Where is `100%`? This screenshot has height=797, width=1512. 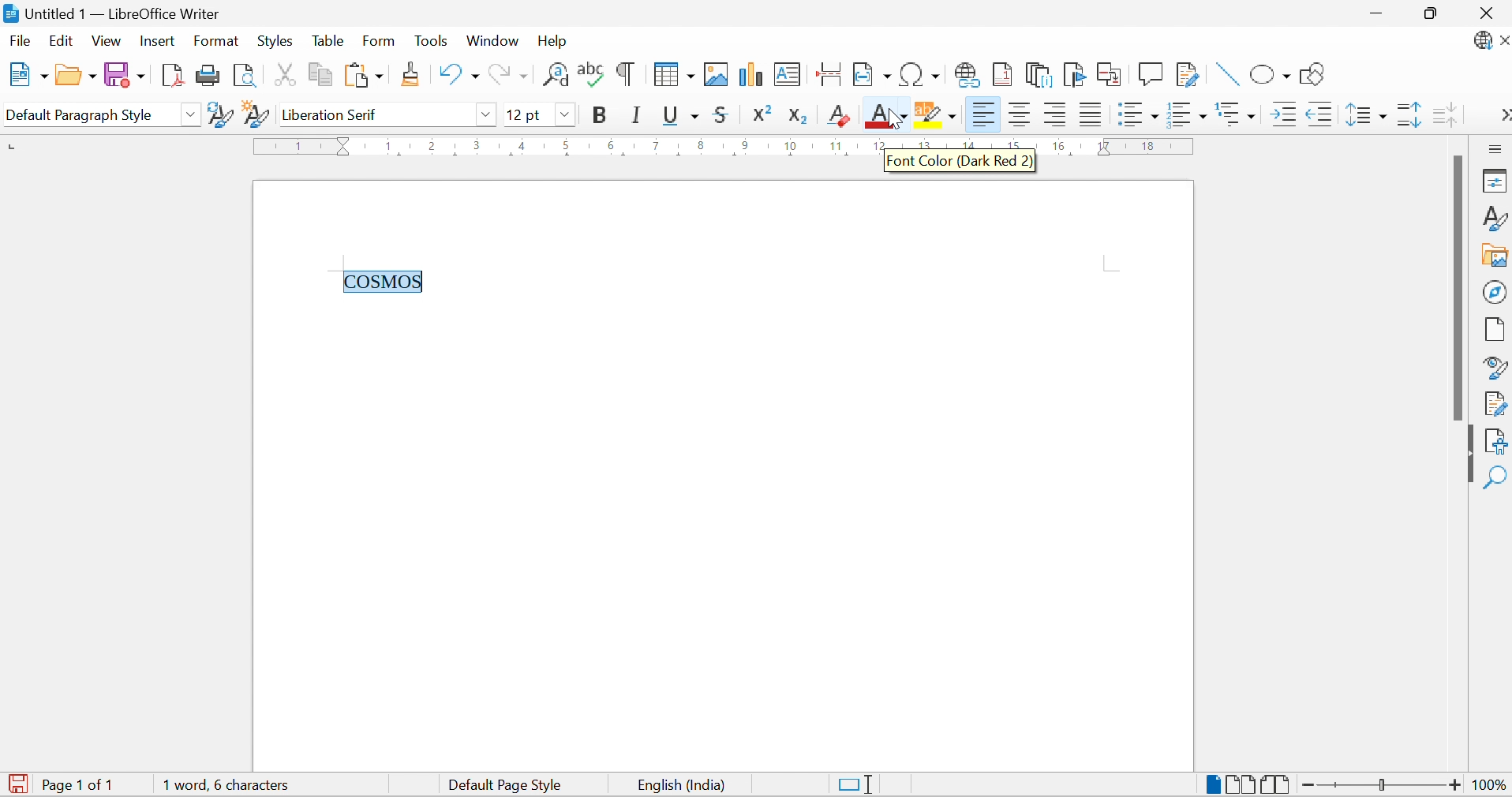 100% is located at coordinates (1484, 786).